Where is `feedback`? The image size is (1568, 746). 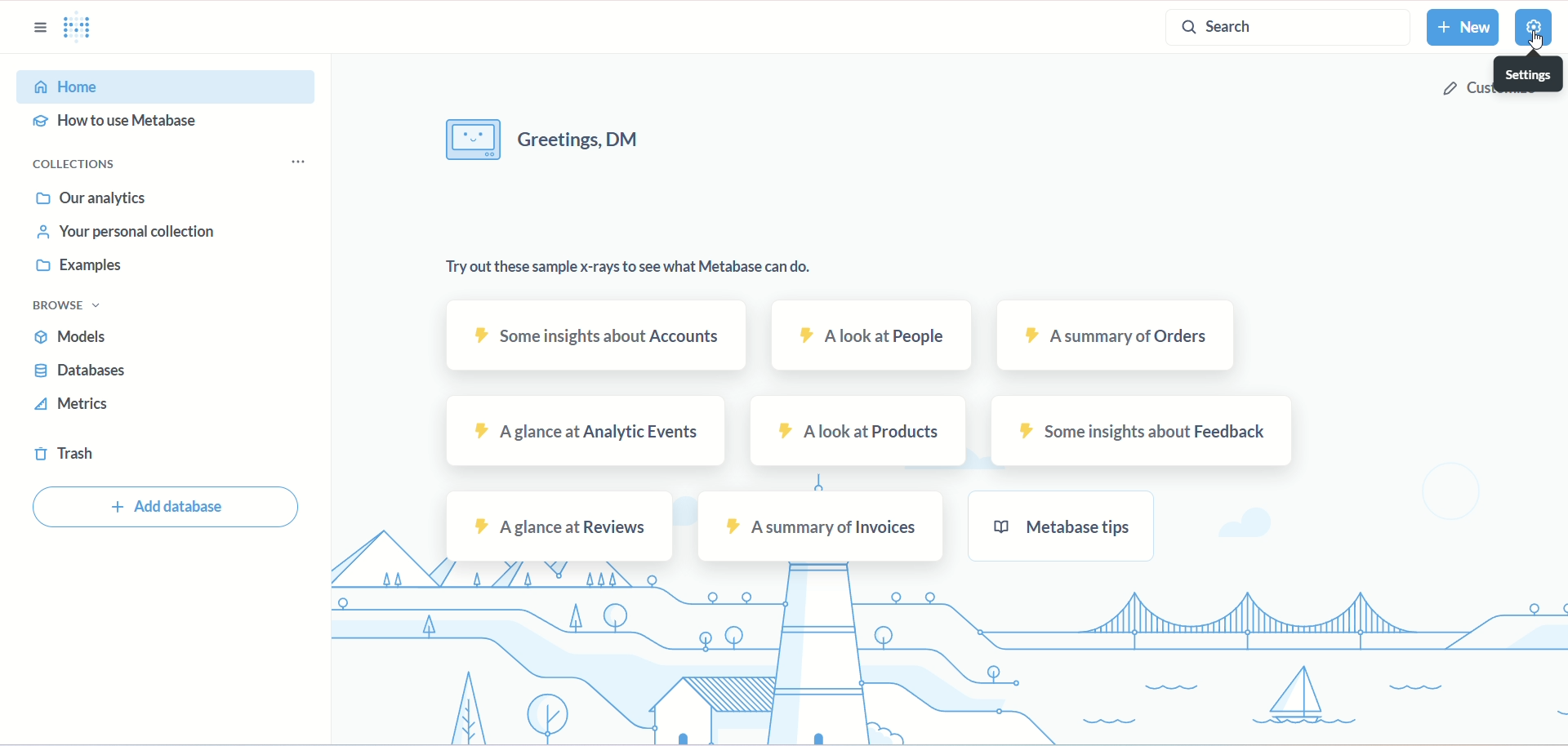 feedback is located at coordinates (1143, 432).